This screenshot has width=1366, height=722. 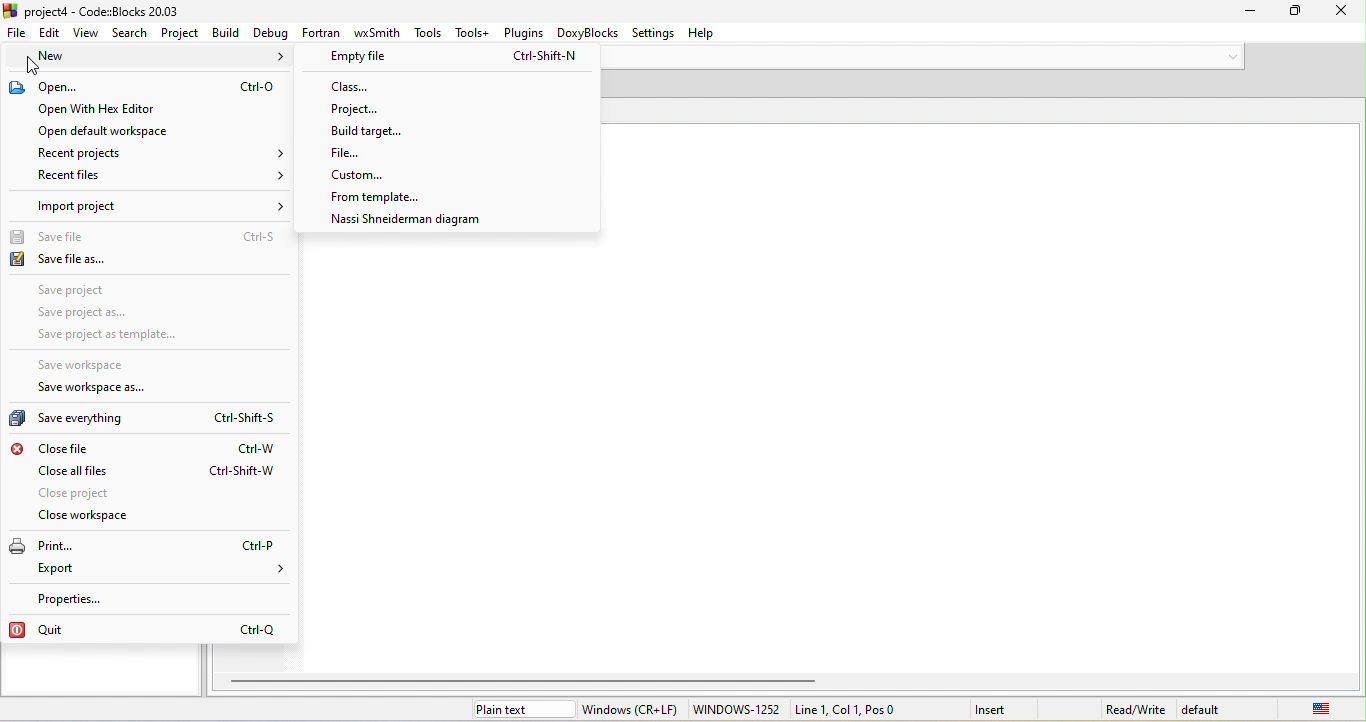 I want to click on close file, so click(x=150, y=449).